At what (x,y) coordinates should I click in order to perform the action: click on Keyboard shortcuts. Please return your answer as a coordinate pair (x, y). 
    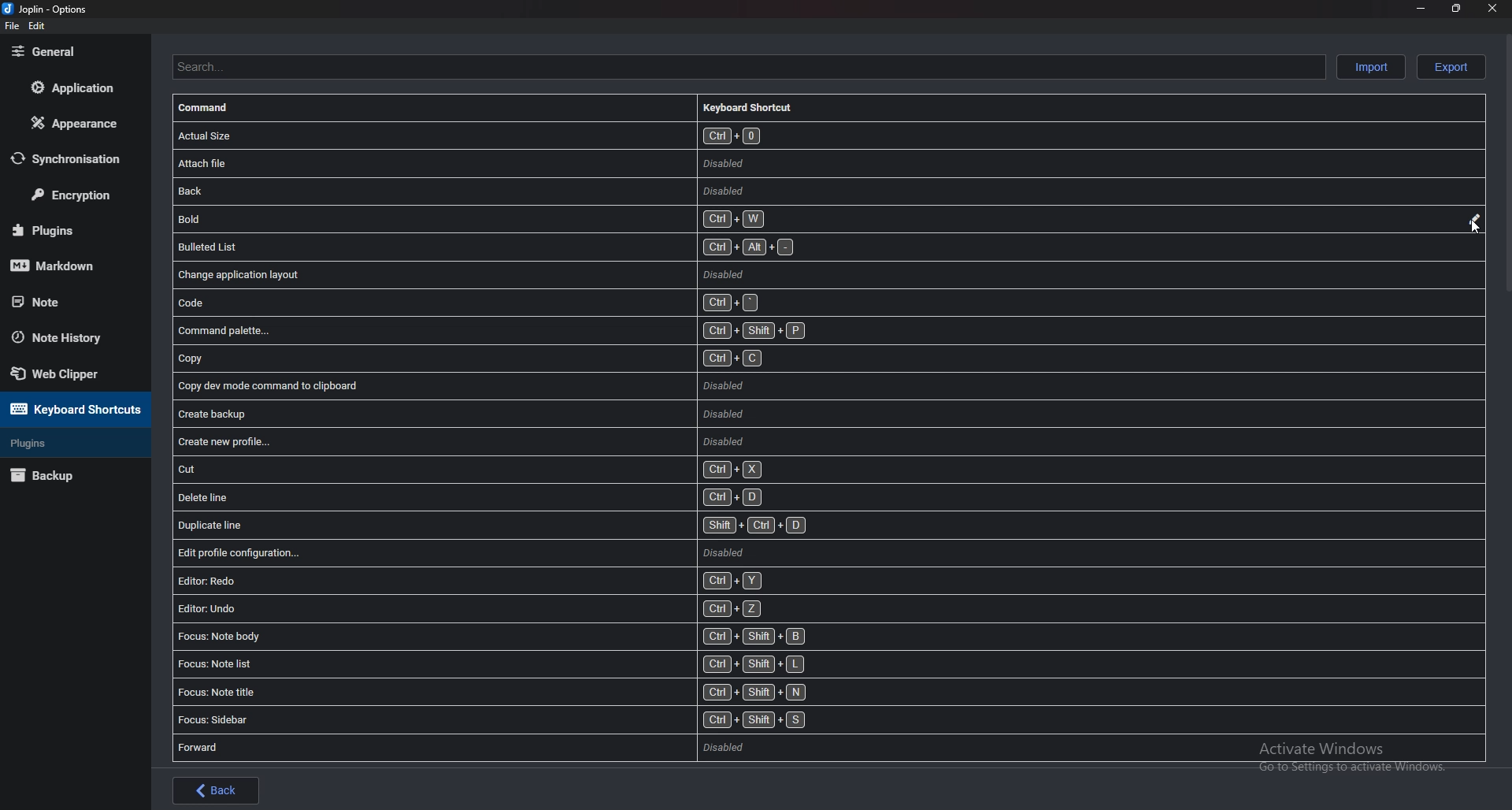
    Looking at the image, I should click on (72, 409).